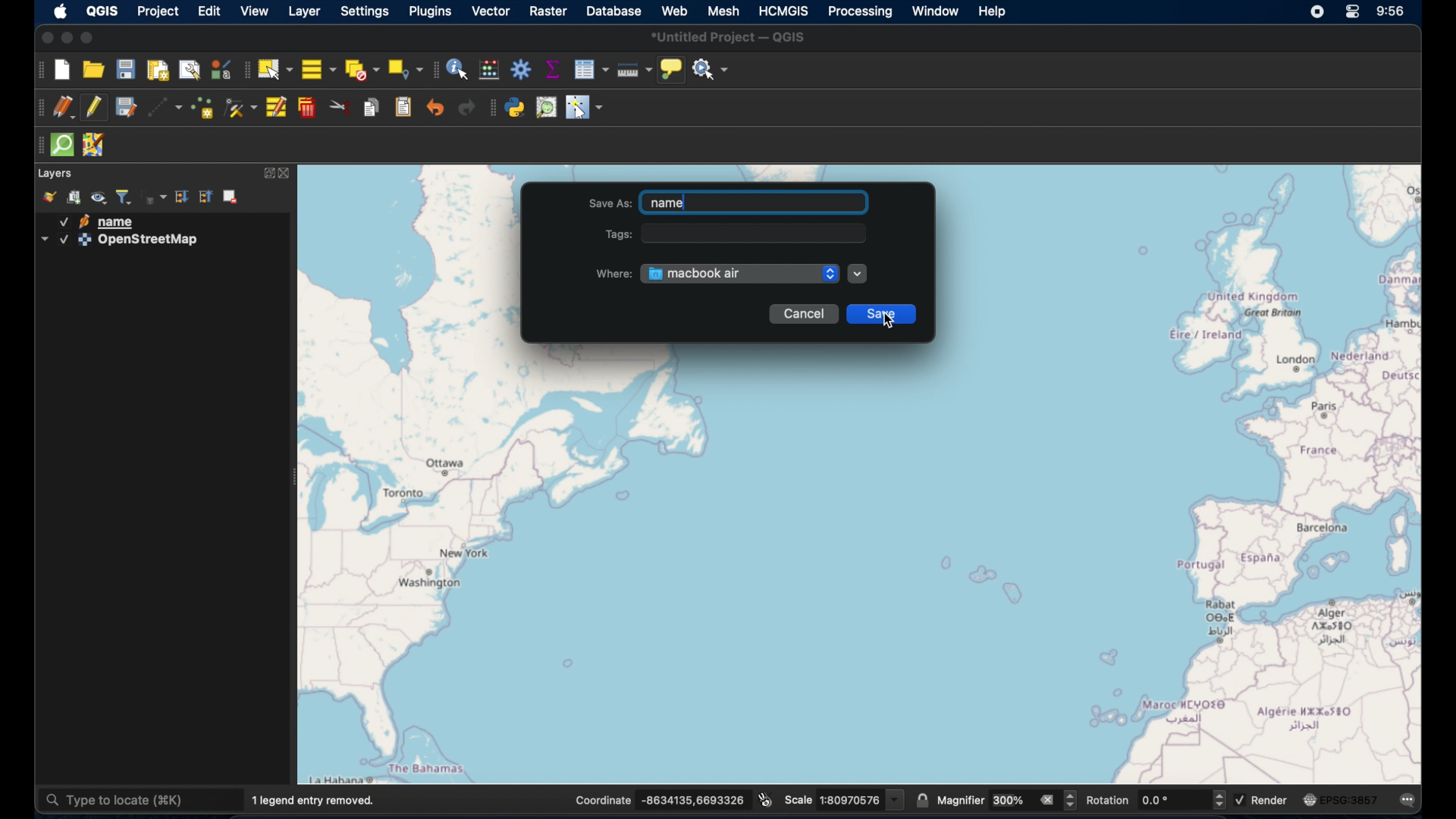 Image resolution: width=1456 pixels, height=819 pixels. What do you see at coordinates (432, 13) in the screenshot?
I see `plugins` at bounding box center [432, 13].